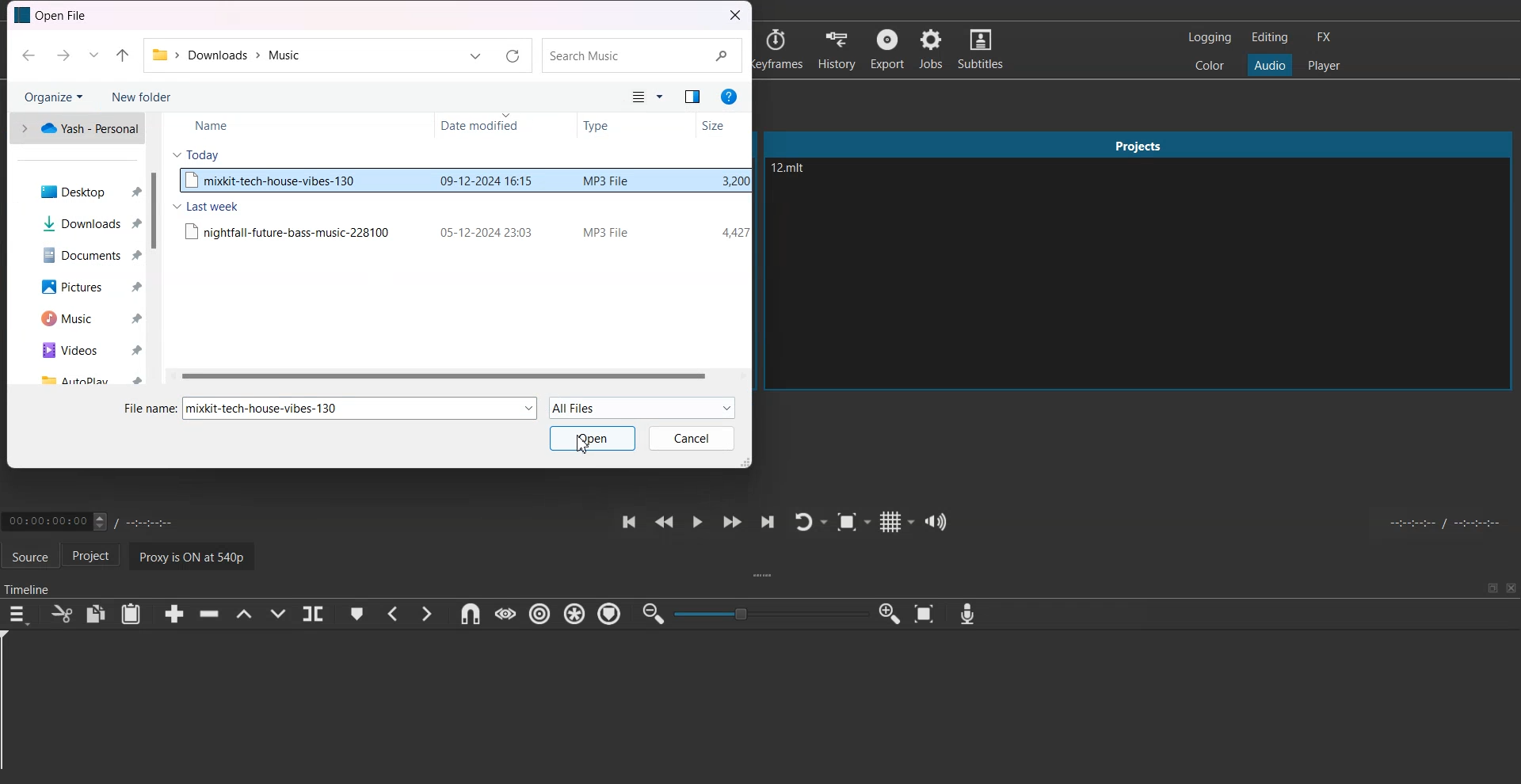  What do you see at coordinates (836, 48) in the screenshot?
I see `History` at bounding box center [836, 48].